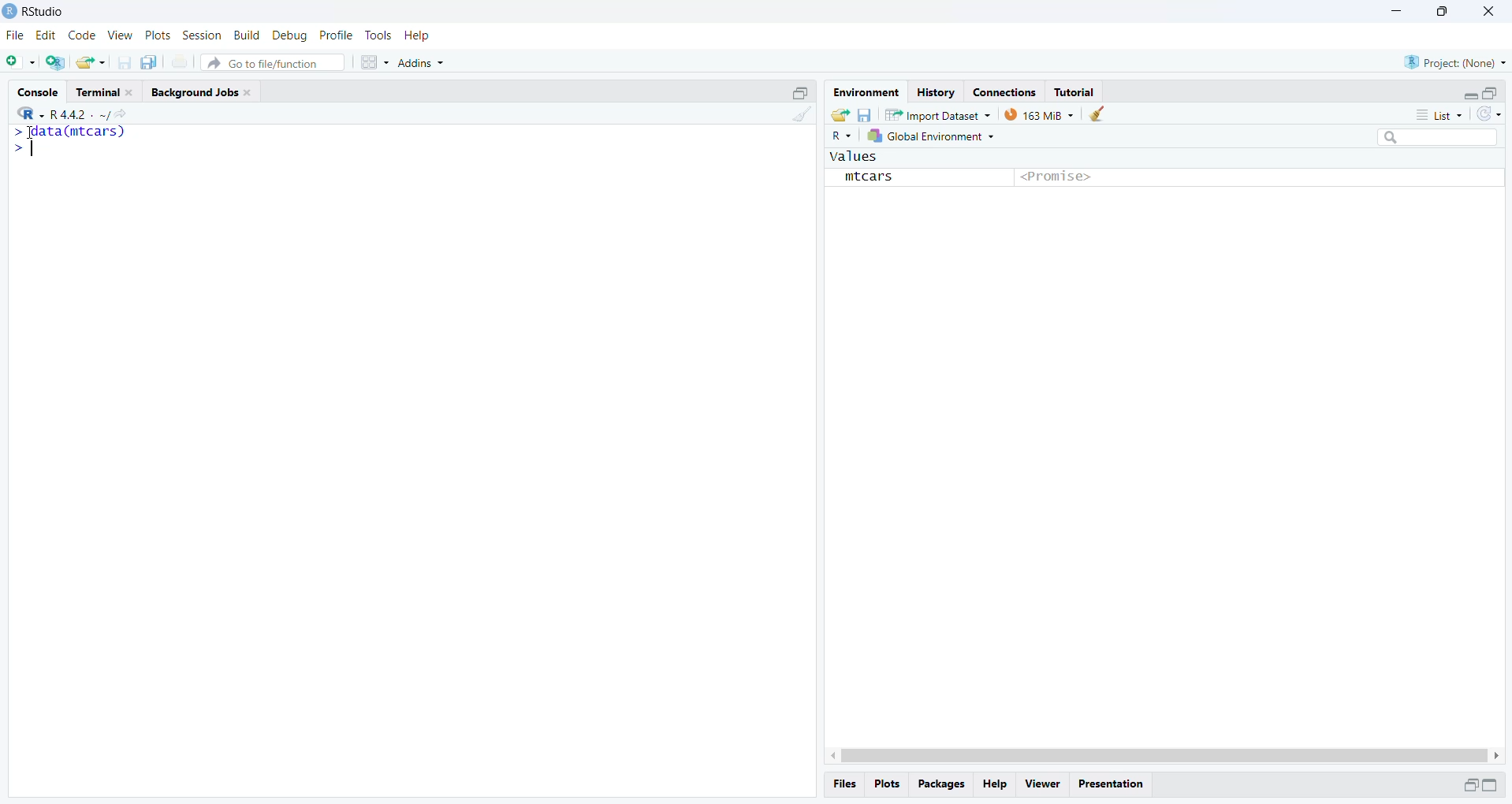 The image size is (1512, 804). What do you see at coordinates (83, 36) in the screenshot?
I see `code` at bounding box center [83, 36].